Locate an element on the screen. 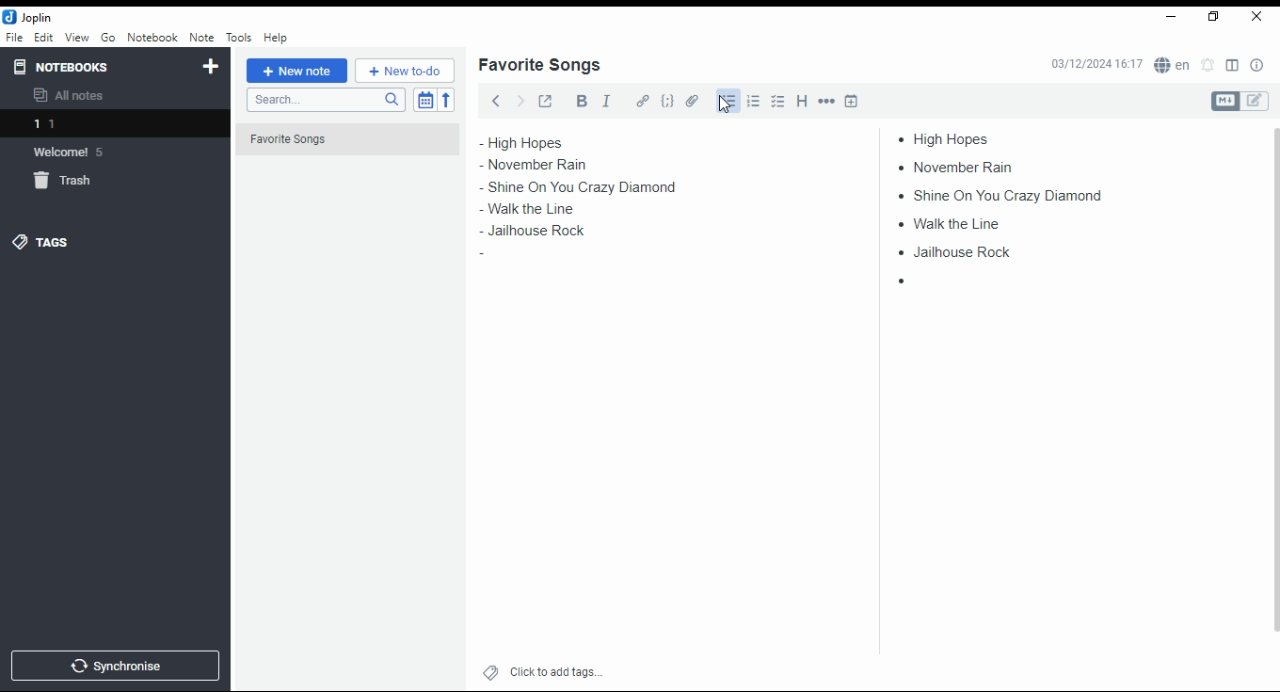 The image size is (1280, 692). minimize is located at coordinates (1168, 18).